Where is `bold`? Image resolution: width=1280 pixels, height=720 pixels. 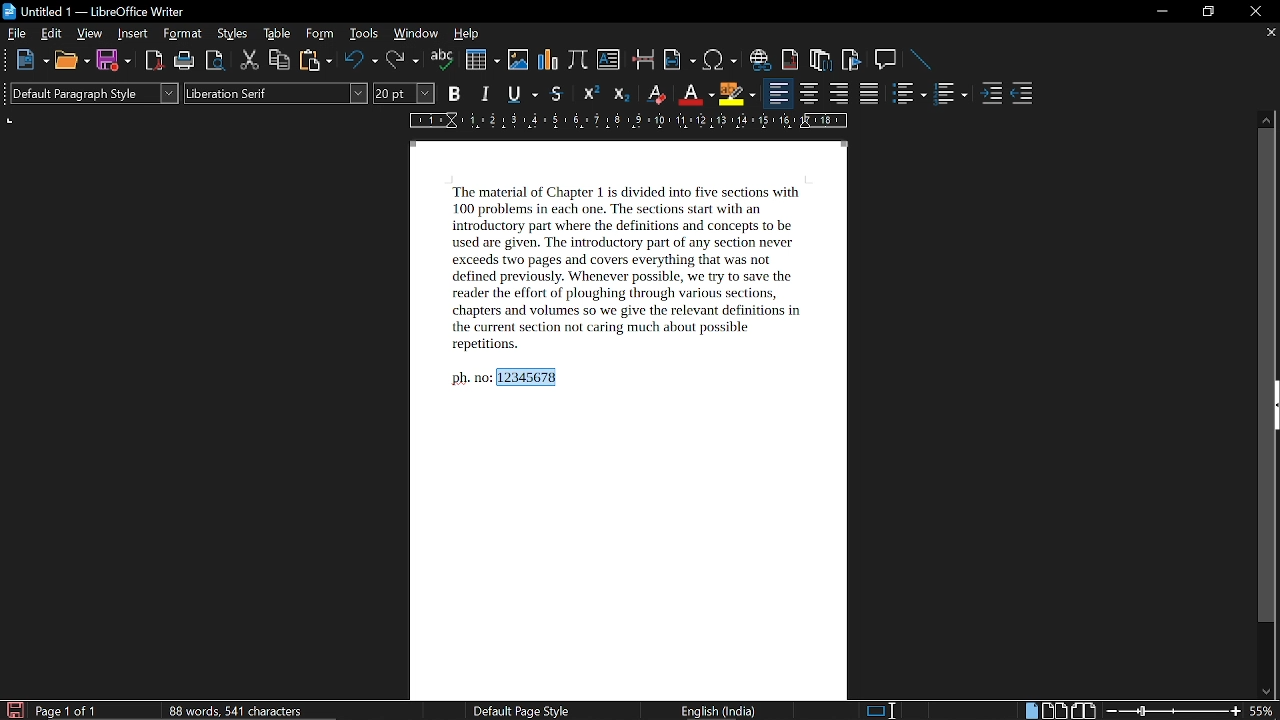 bold is located at coordinates (453, 95).